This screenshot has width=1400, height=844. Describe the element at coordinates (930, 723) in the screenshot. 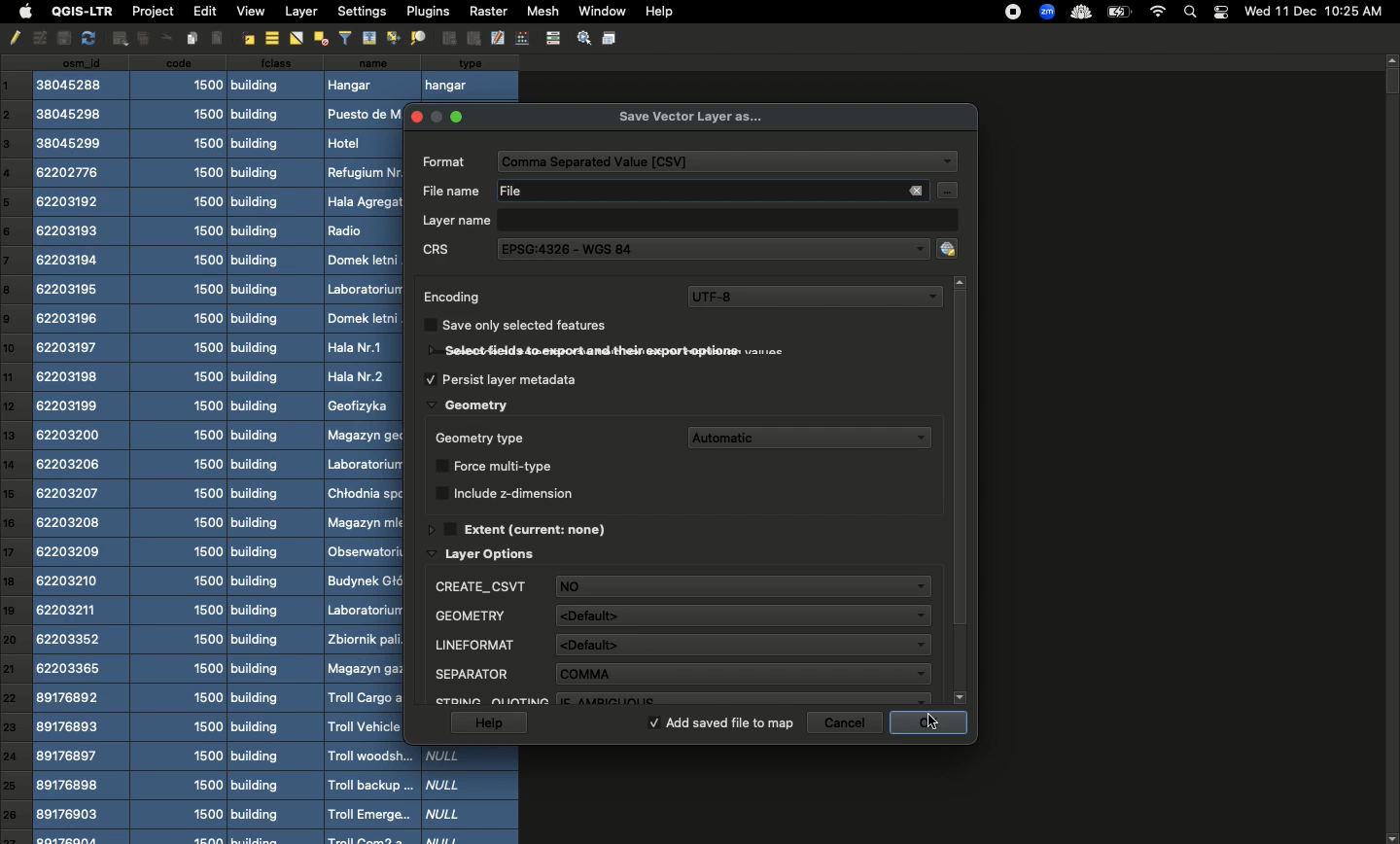

I see `ok` at that location.